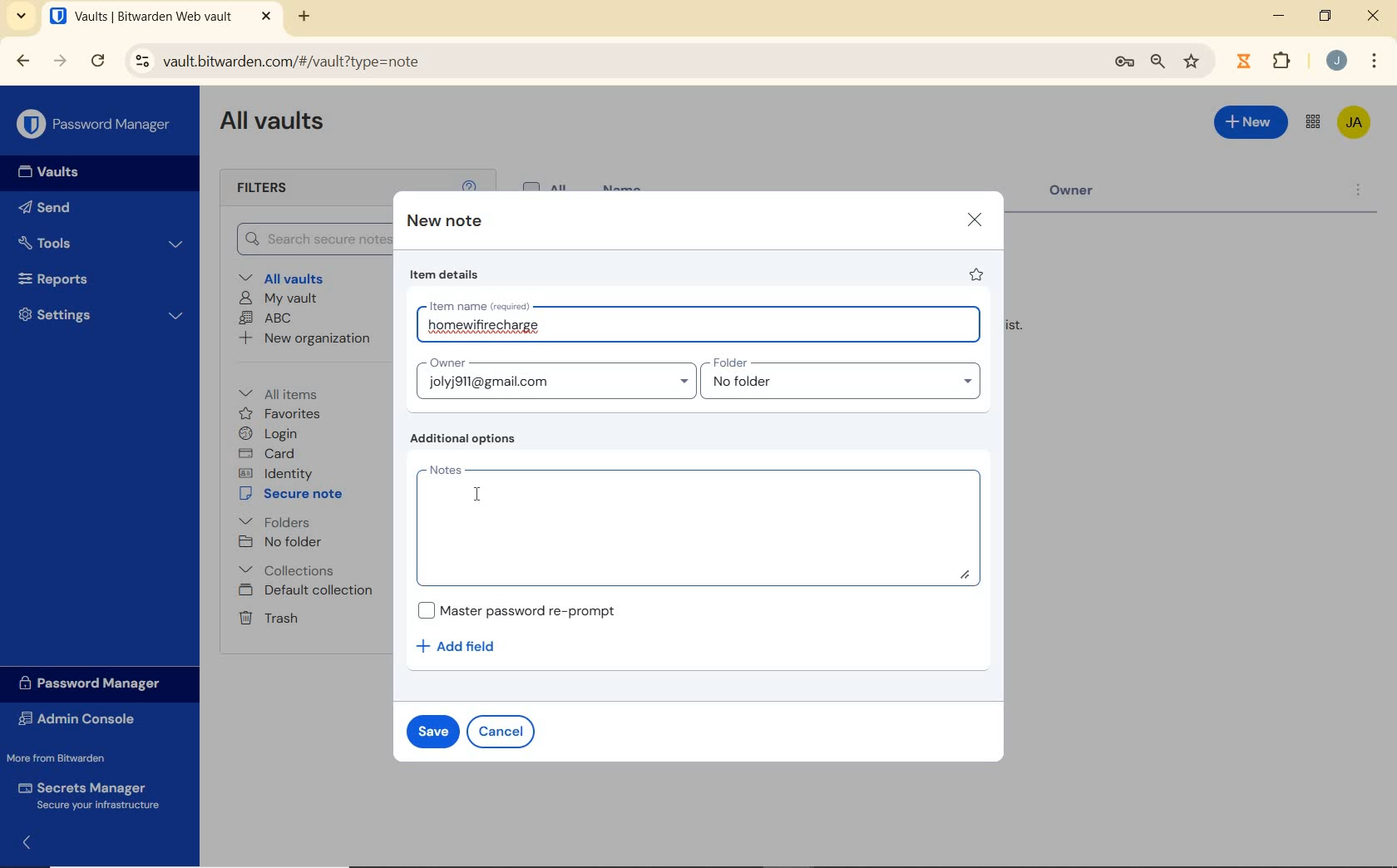 The width and height of the screenshot is (1397, 868). I want to click on item details, so click(447, 274).